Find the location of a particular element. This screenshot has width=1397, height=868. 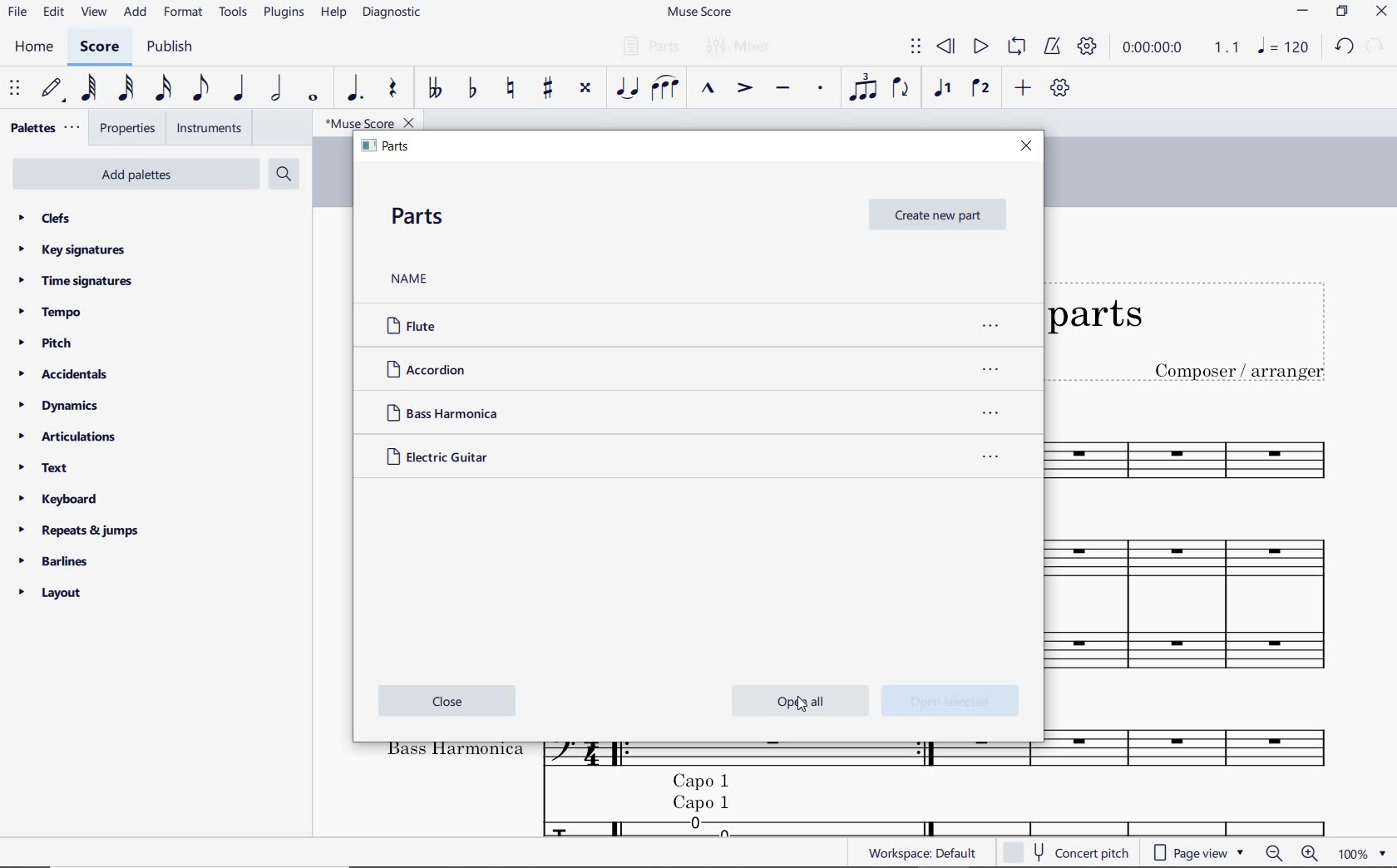

barlines is located at coordinates (58, 561).